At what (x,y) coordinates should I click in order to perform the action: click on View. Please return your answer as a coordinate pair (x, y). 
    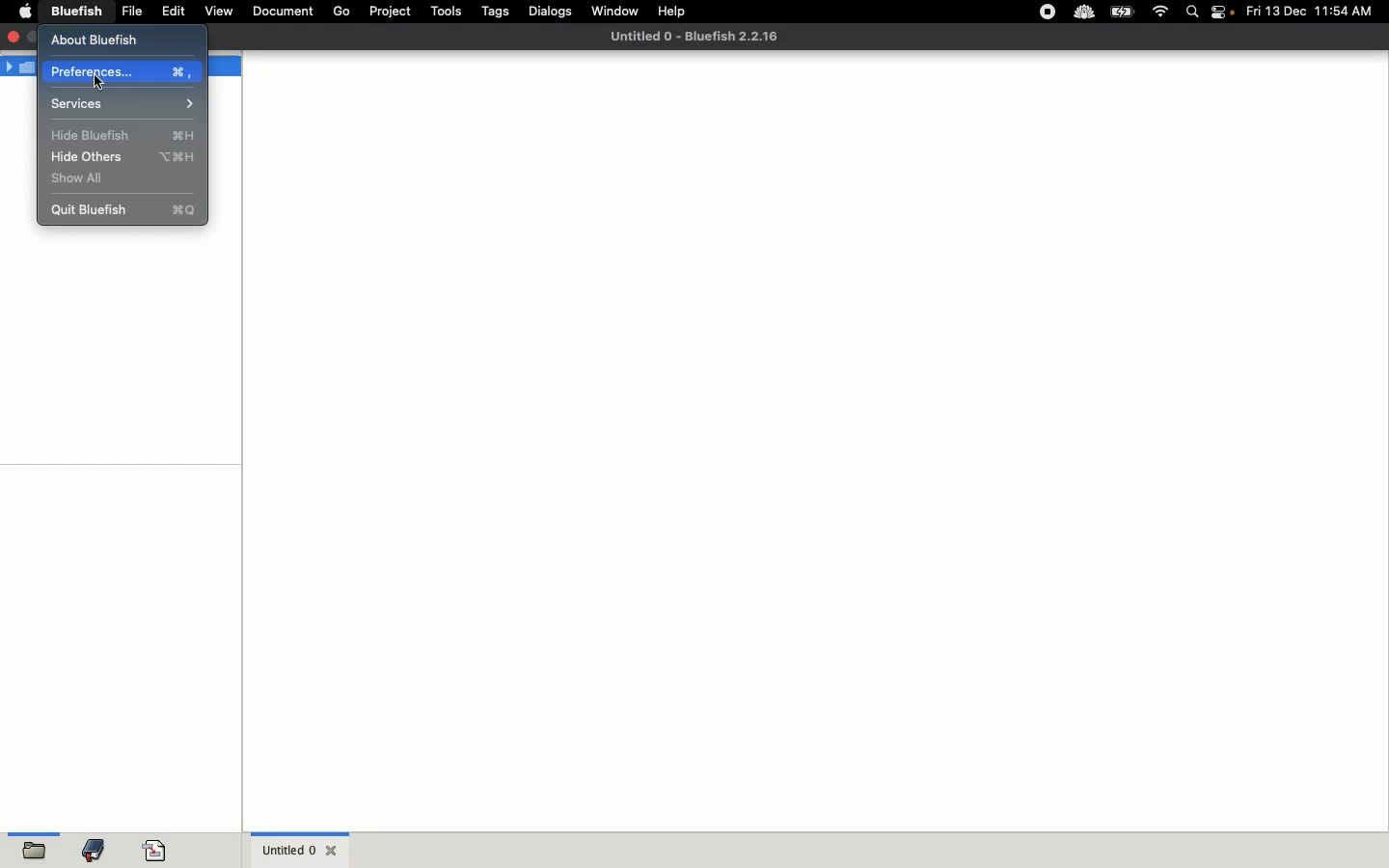
    Looking at the image, I should click on (221, 12).